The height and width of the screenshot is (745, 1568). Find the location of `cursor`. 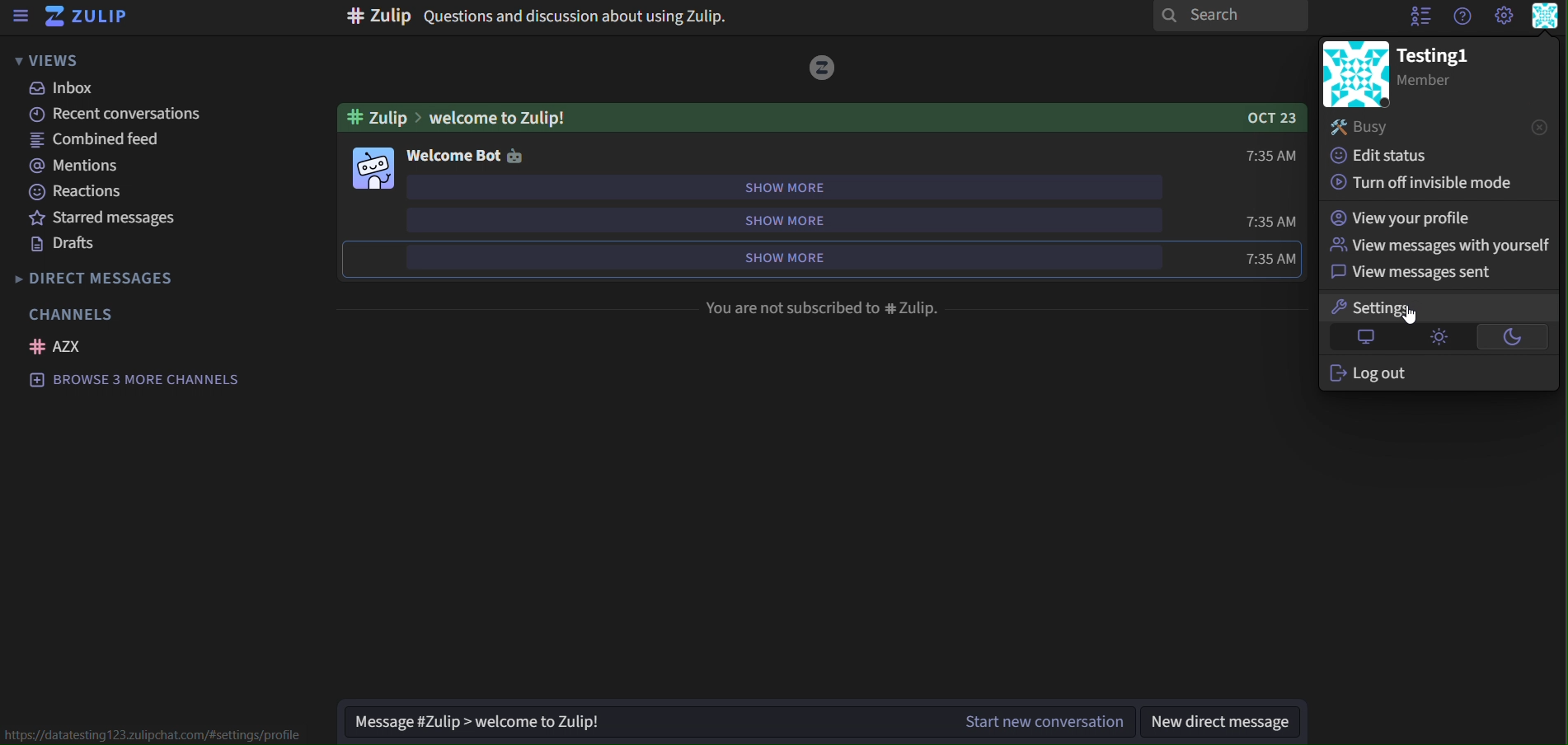

cursor is located at coordinates (1412, 316).